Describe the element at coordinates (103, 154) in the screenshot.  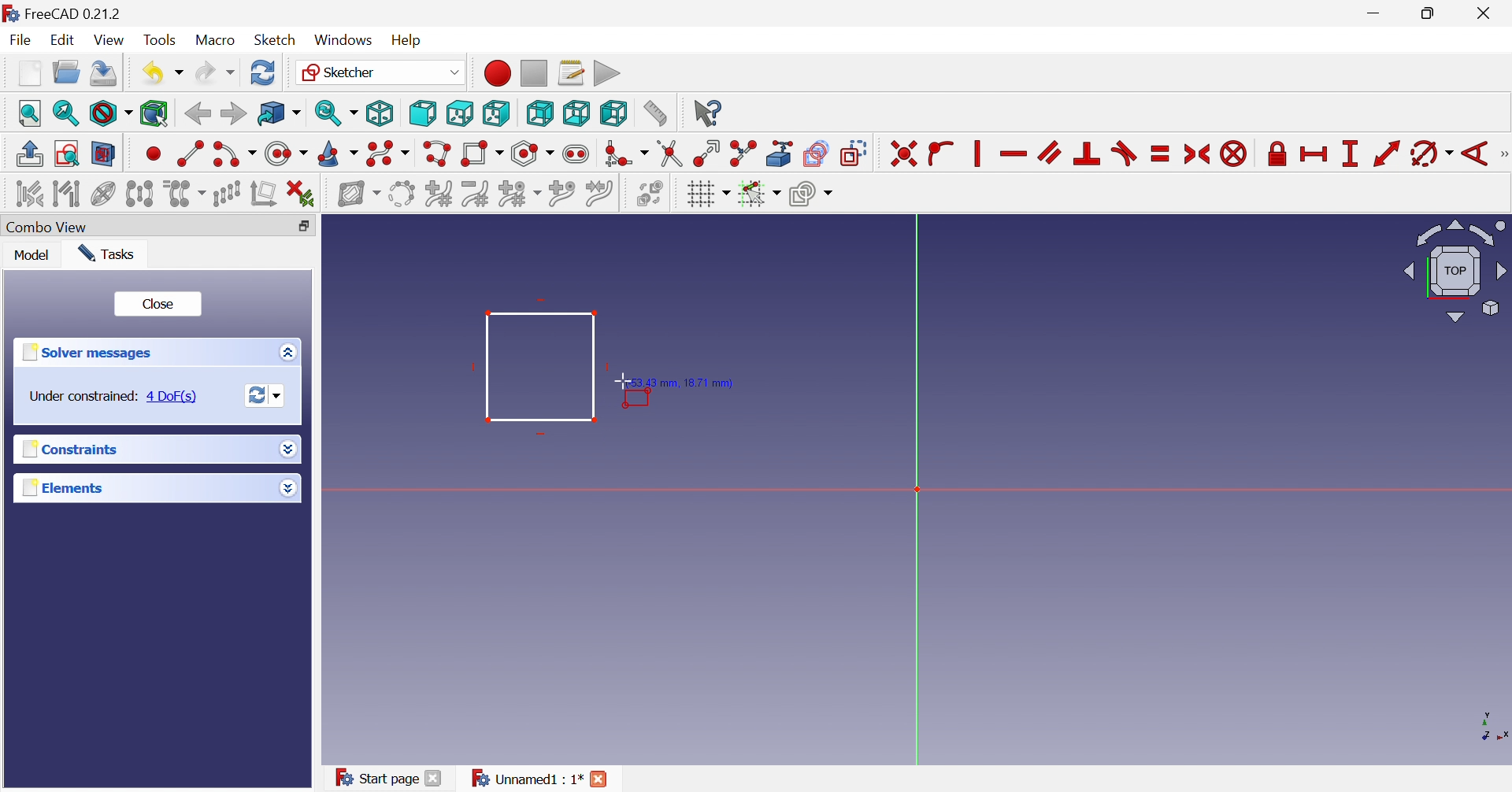
I see `View section` at that location.